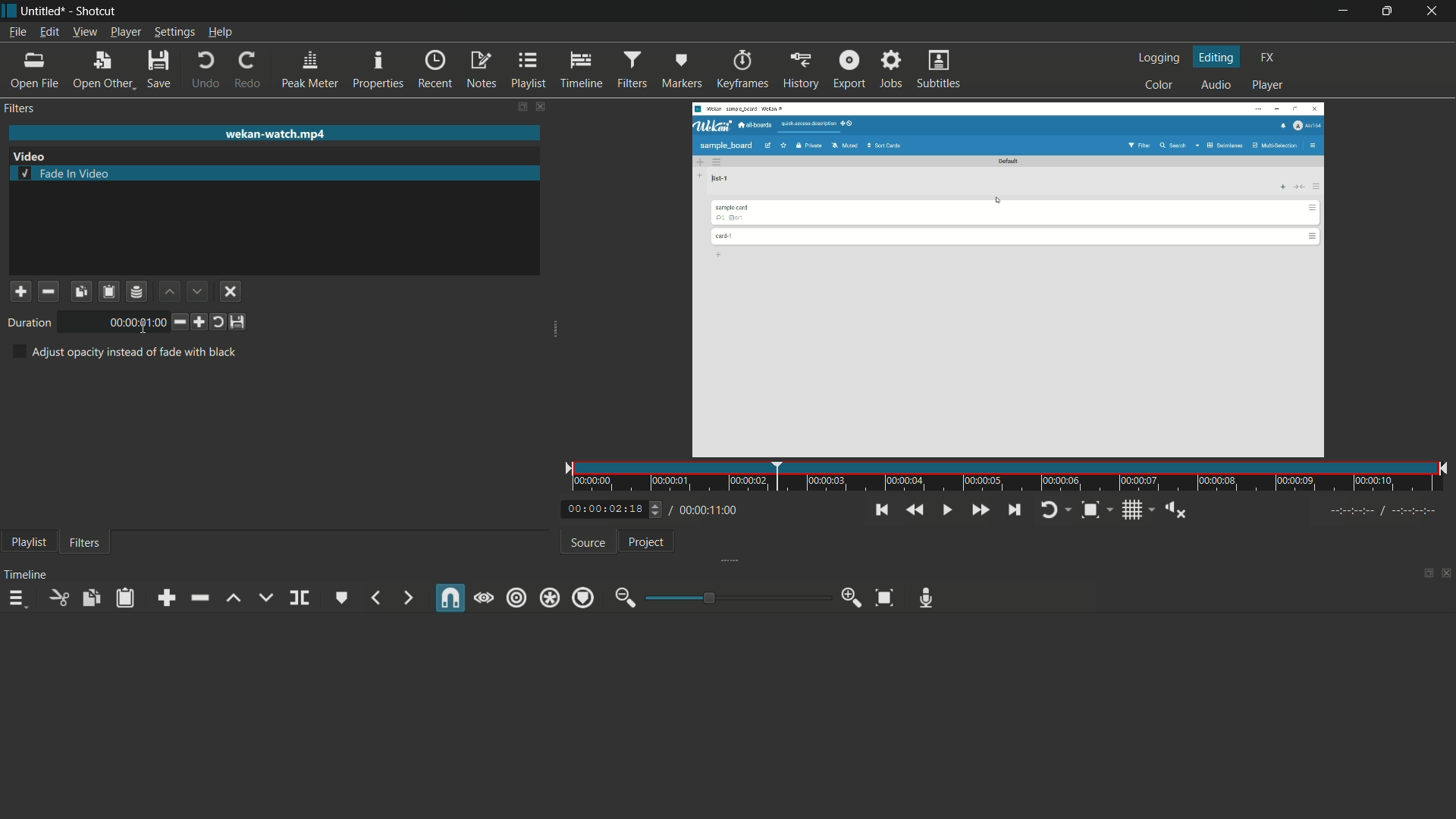 Image resolution: width=1456 pixels, height=819 pixels. What do you see at coordinates (231, 292) in the screenshot?
I see `deselect the filter` at bounding box center [231, 292].